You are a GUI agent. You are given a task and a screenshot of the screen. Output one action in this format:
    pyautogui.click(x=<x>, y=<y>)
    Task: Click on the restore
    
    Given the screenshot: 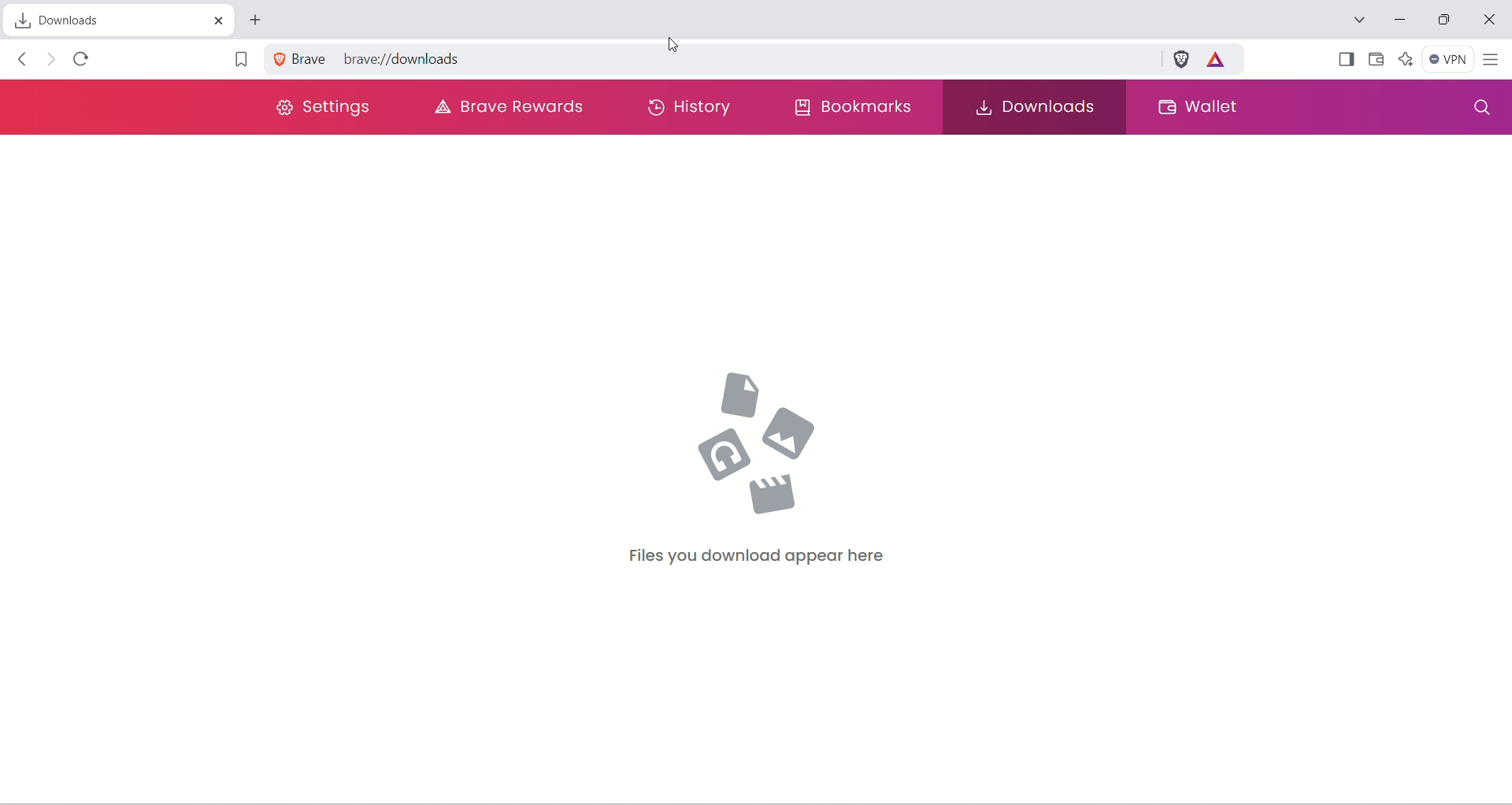 What is the action you would take?
    pyautogui.click(x=1443, y=20)
    